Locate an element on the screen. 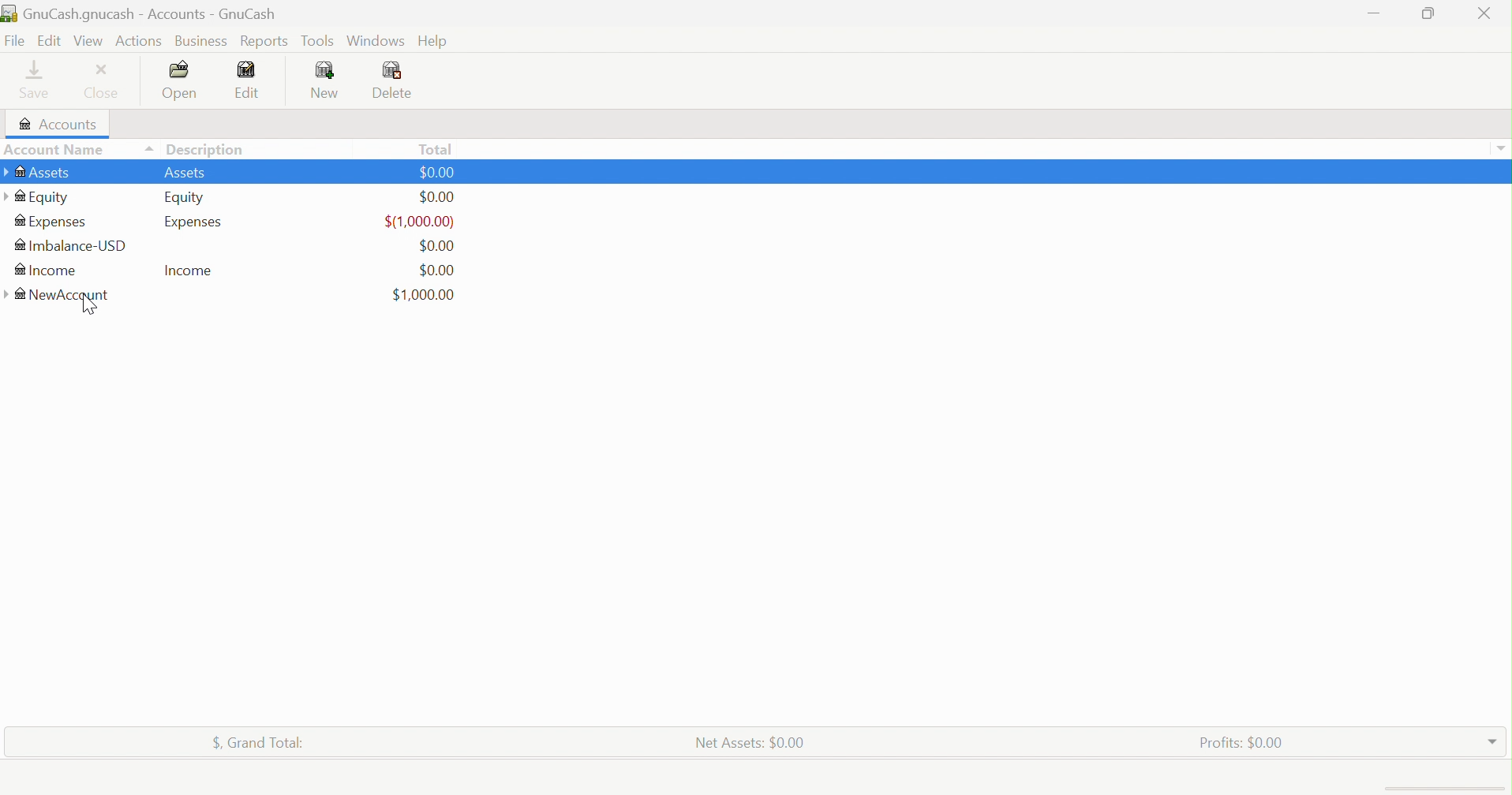  Imbalance-USD is located at coordinates (69, 247).